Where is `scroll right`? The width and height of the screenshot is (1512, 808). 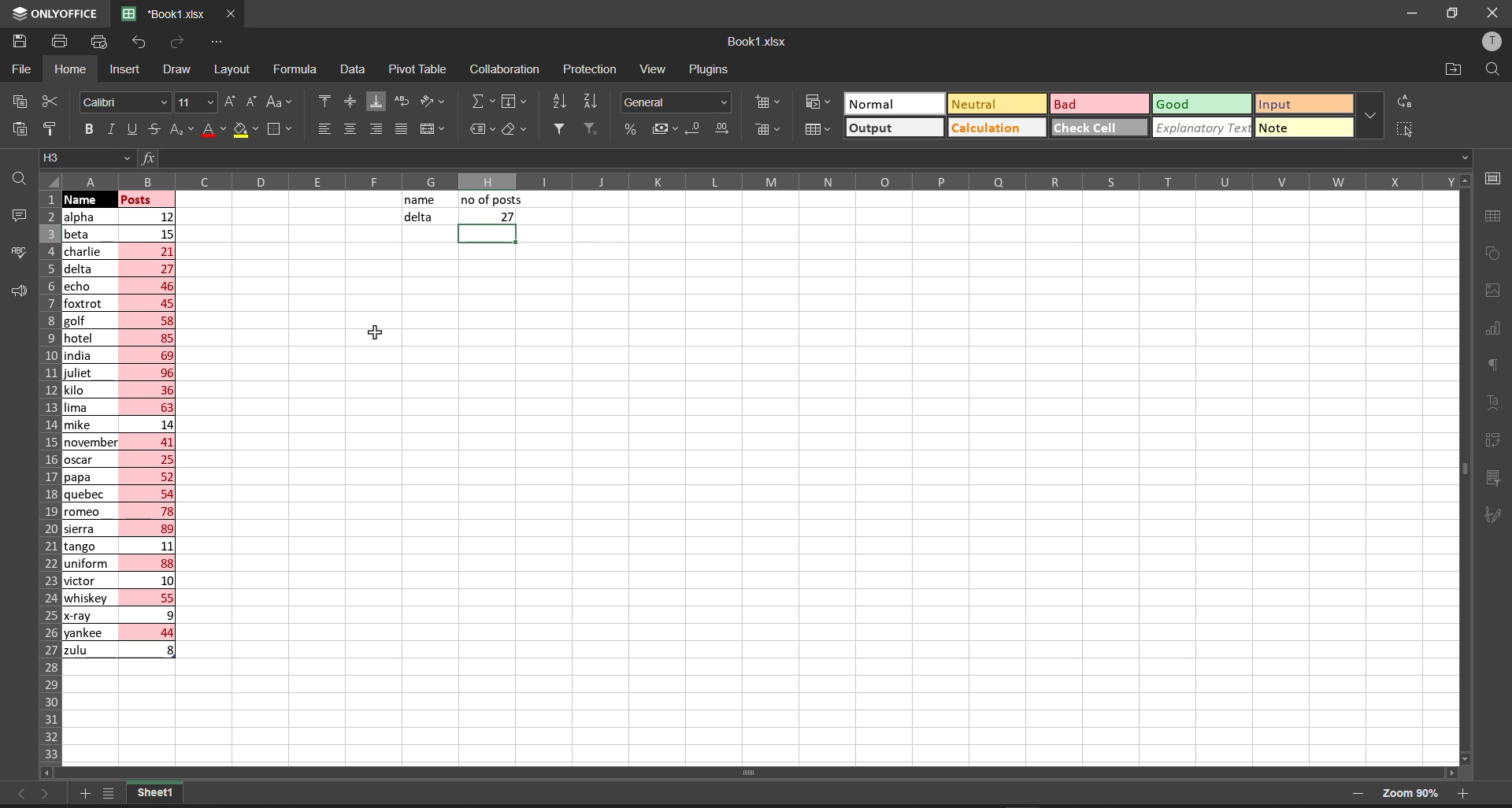 scroll right is located at coordinates (1447, 770).